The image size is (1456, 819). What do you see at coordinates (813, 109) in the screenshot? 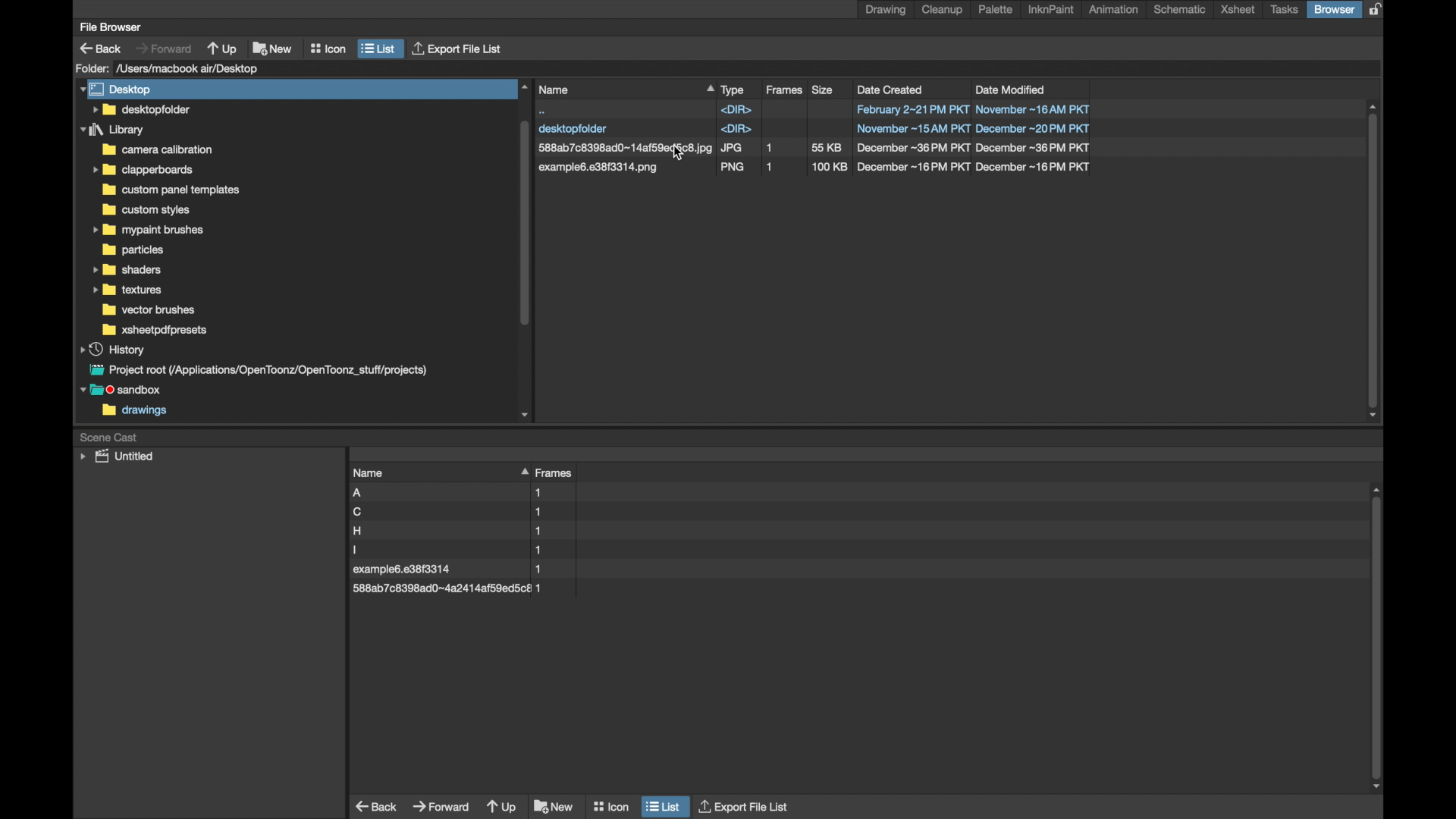
I see `file` at bounding box center [813, 109].